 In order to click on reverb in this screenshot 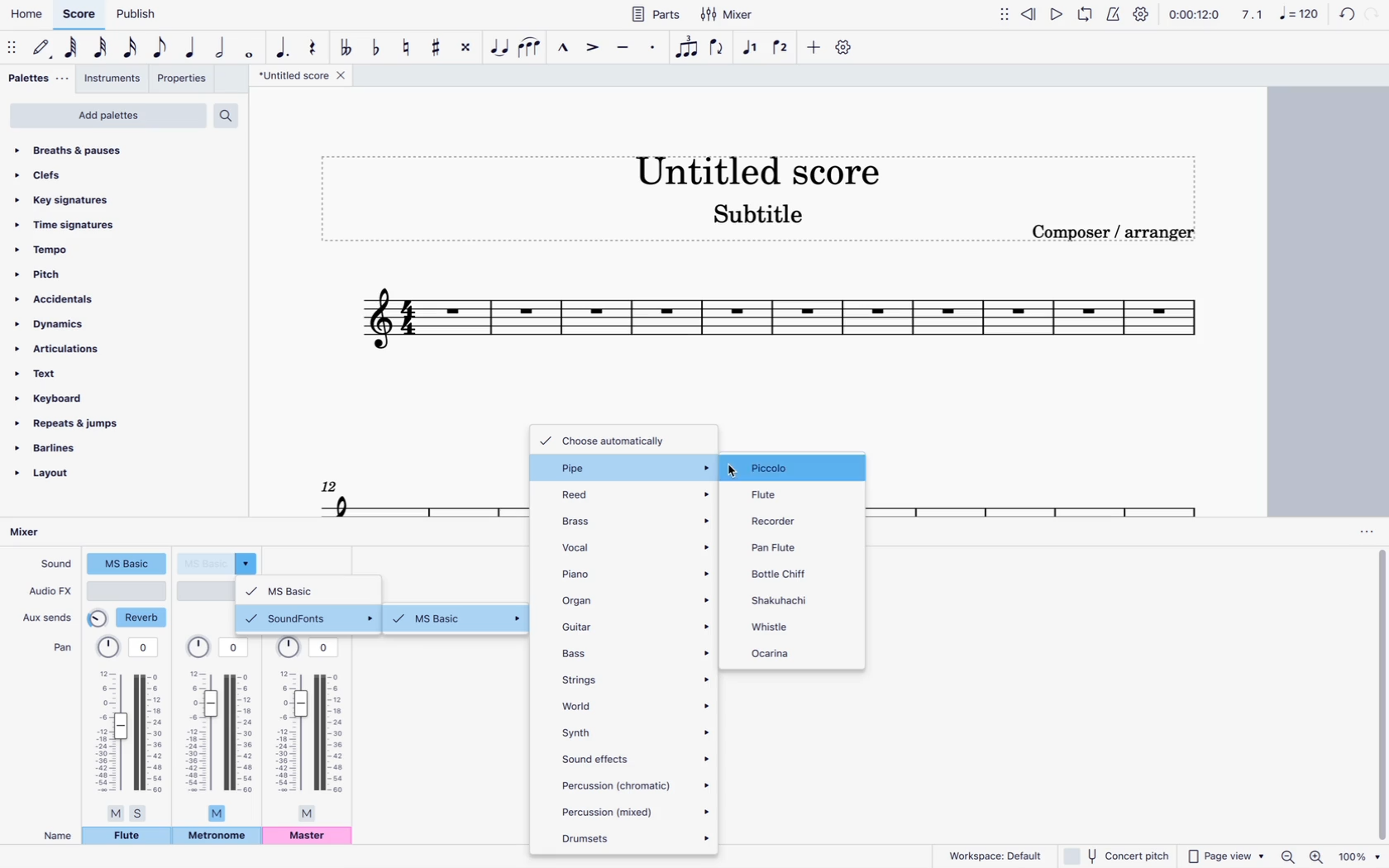, I will do `click(129, 618)`.